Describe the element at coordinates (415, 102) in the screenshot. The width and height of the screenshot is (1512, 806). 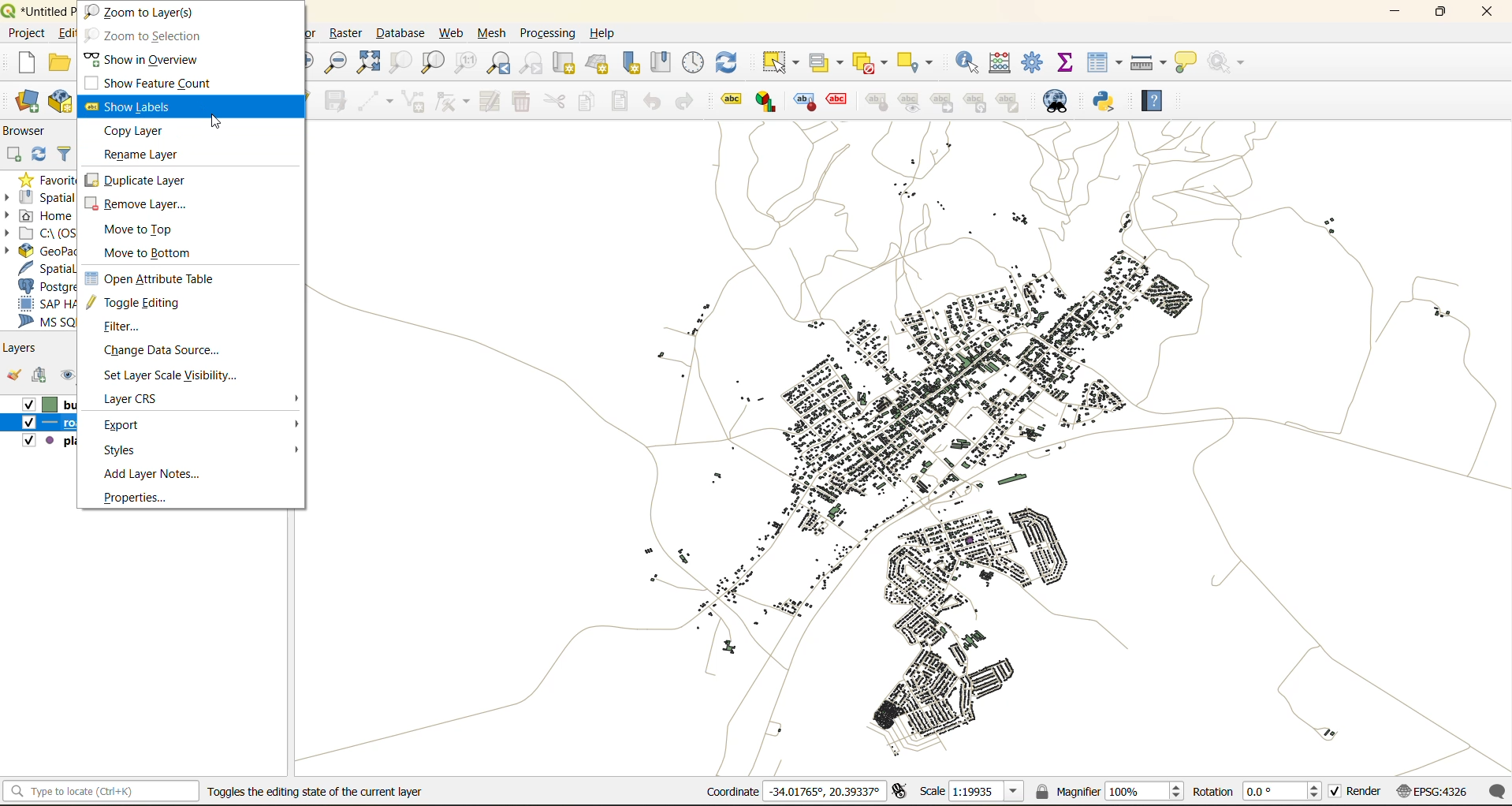
I see `add polygon` at that location.